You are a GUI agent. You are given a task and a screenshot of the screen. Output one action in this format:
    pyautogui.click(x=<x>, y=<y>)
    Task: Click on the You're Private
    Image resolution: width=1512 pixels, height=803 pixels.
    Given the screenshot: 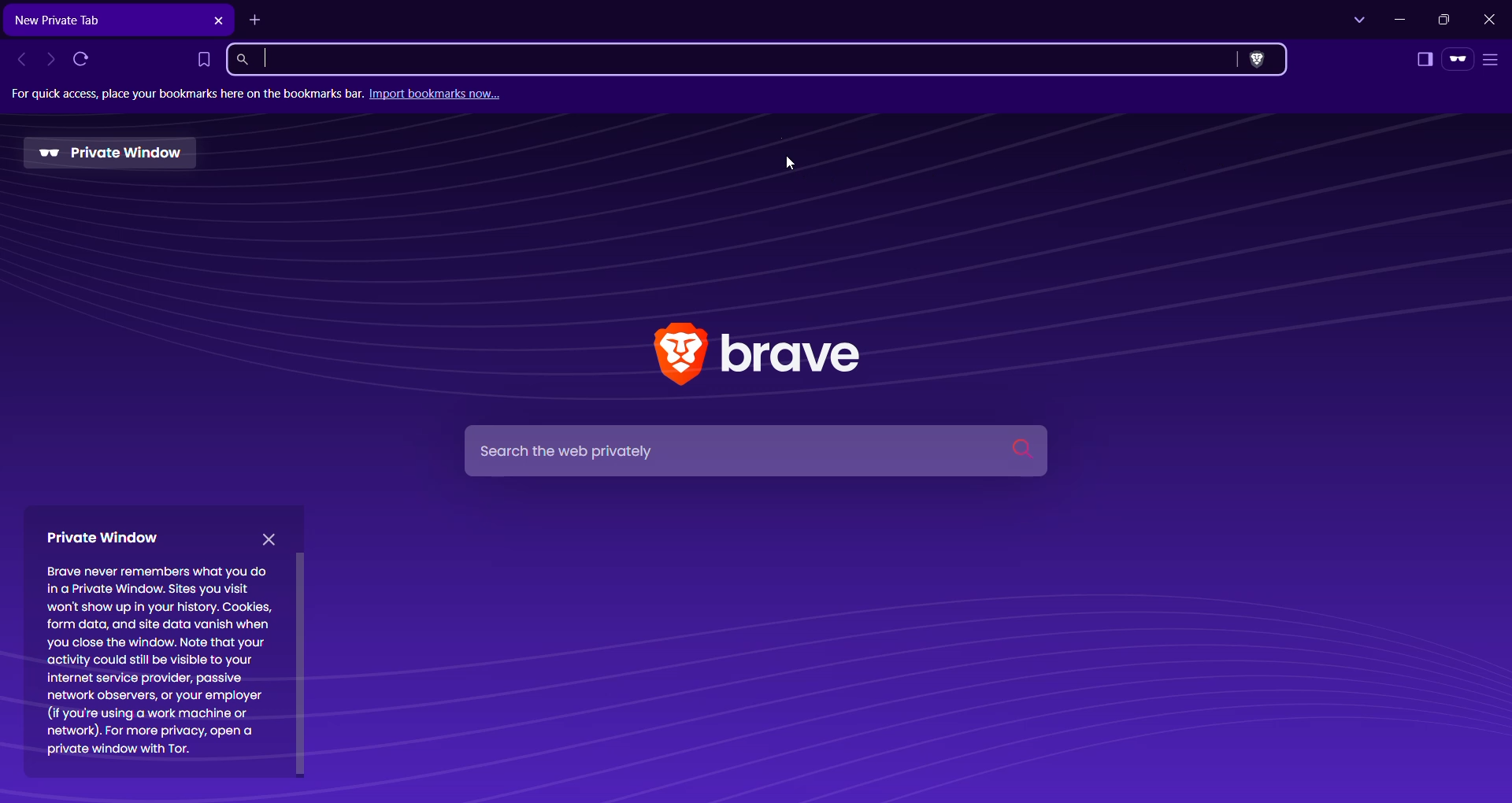 What is the action you would take?
    pyautogui.click(x=1458, y=59)
    